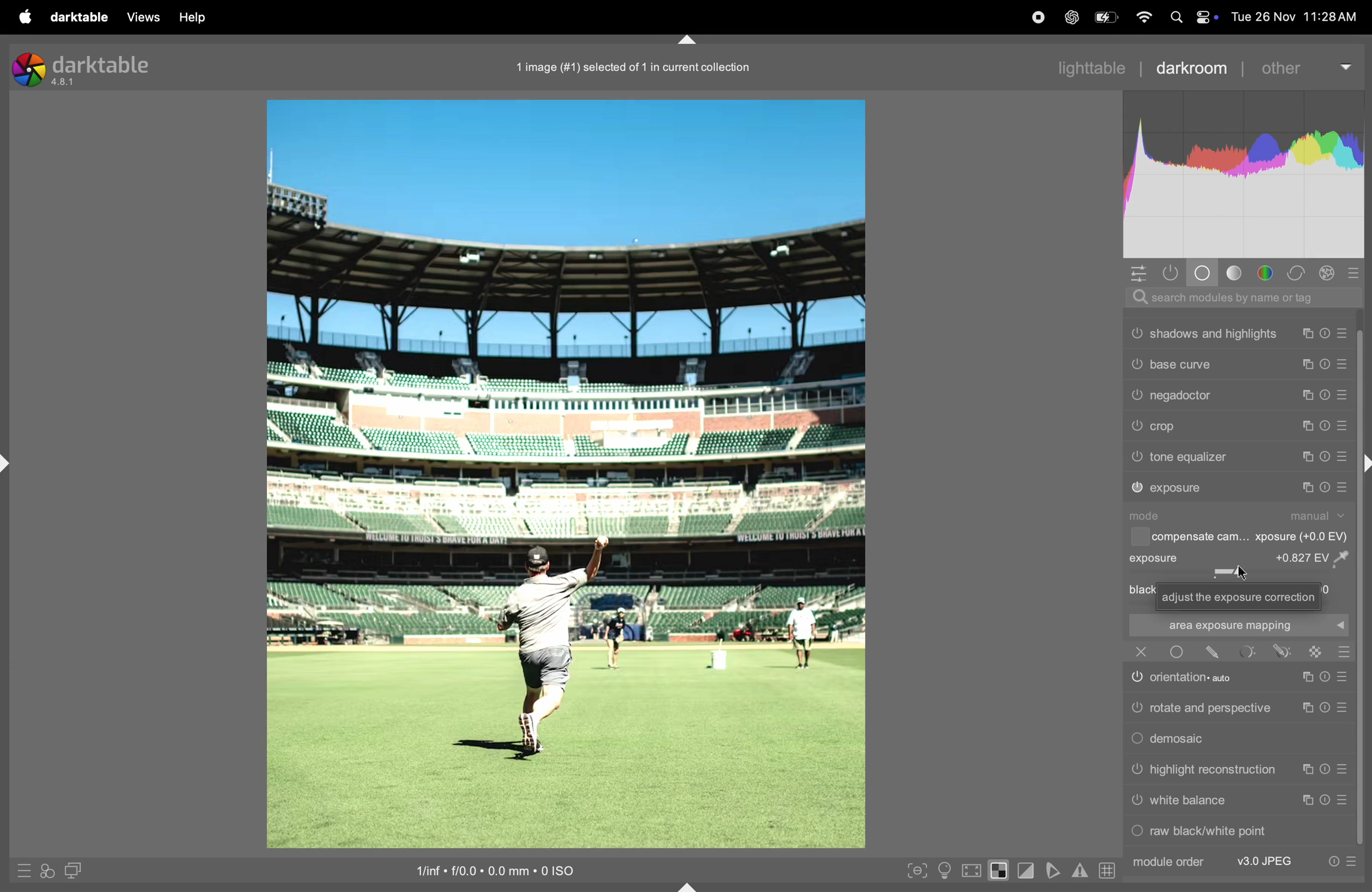  Describe the element at coordinates (1328, 273) in the screenshot. I see `effect` at that location.